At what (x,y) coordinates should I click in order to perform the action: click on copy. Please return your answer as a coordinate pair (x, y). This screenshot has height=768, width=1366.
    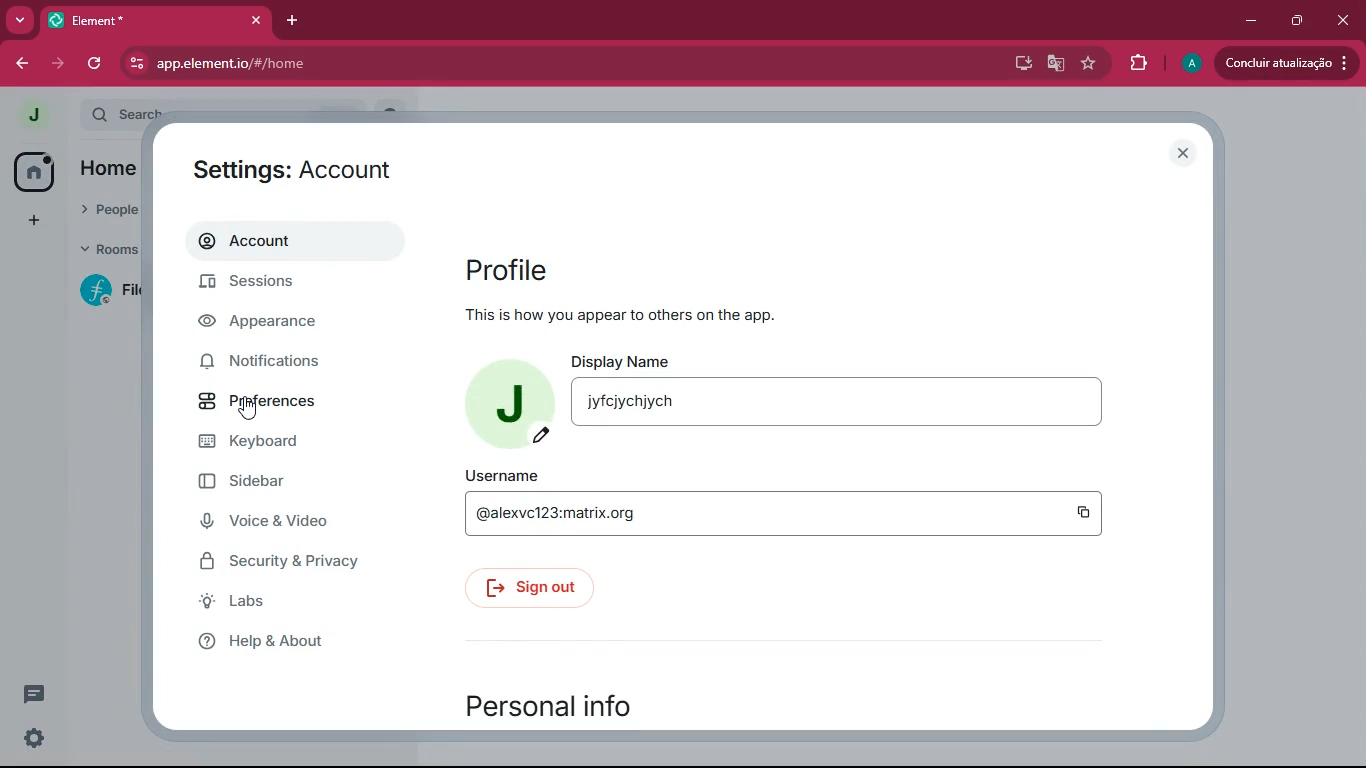
    Looking at the image, I should click on (1085, 514).